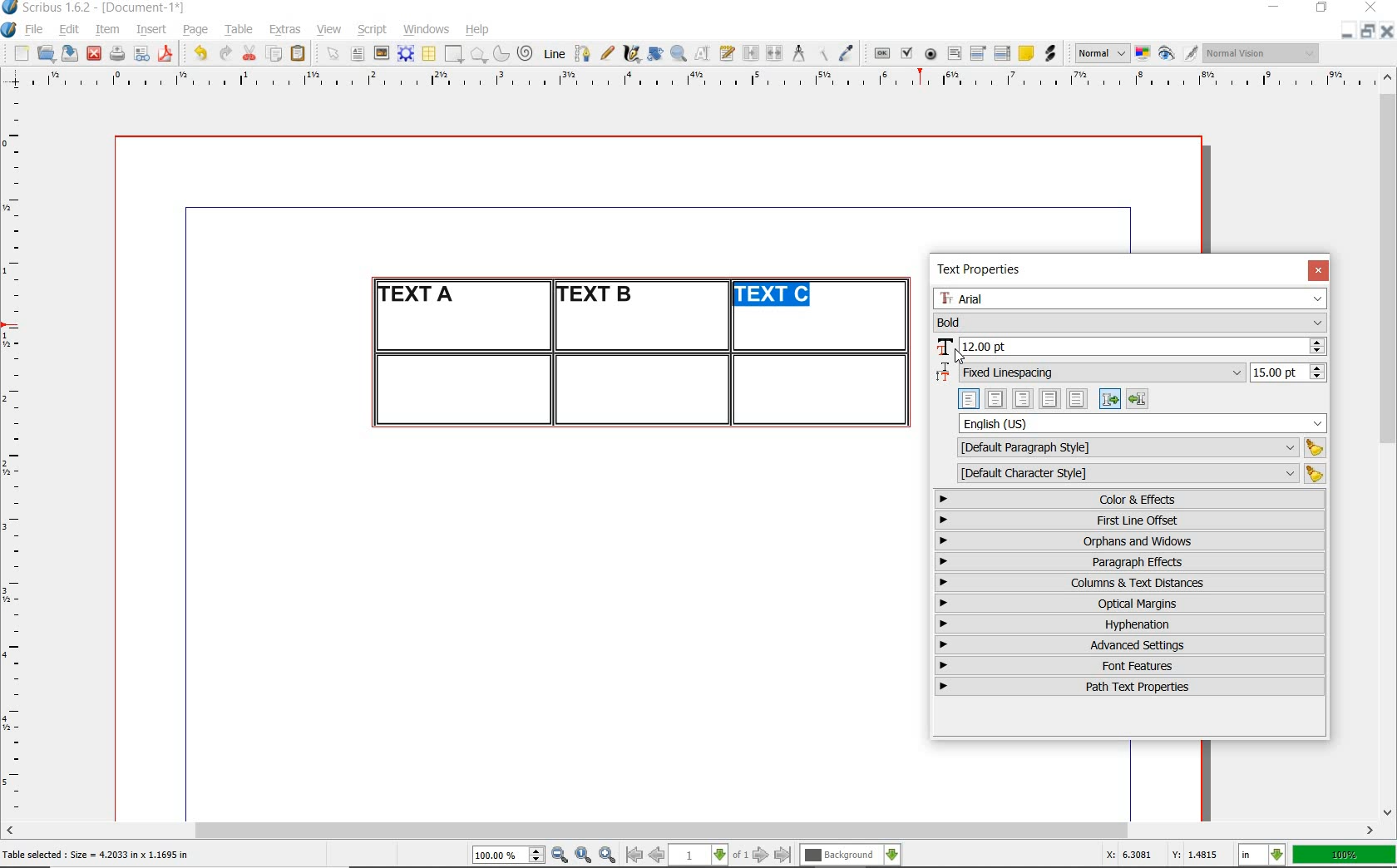 Image resolution: width=1397 pixels, height=868 pixels. I want to click on minimize, so click(1276, 8).